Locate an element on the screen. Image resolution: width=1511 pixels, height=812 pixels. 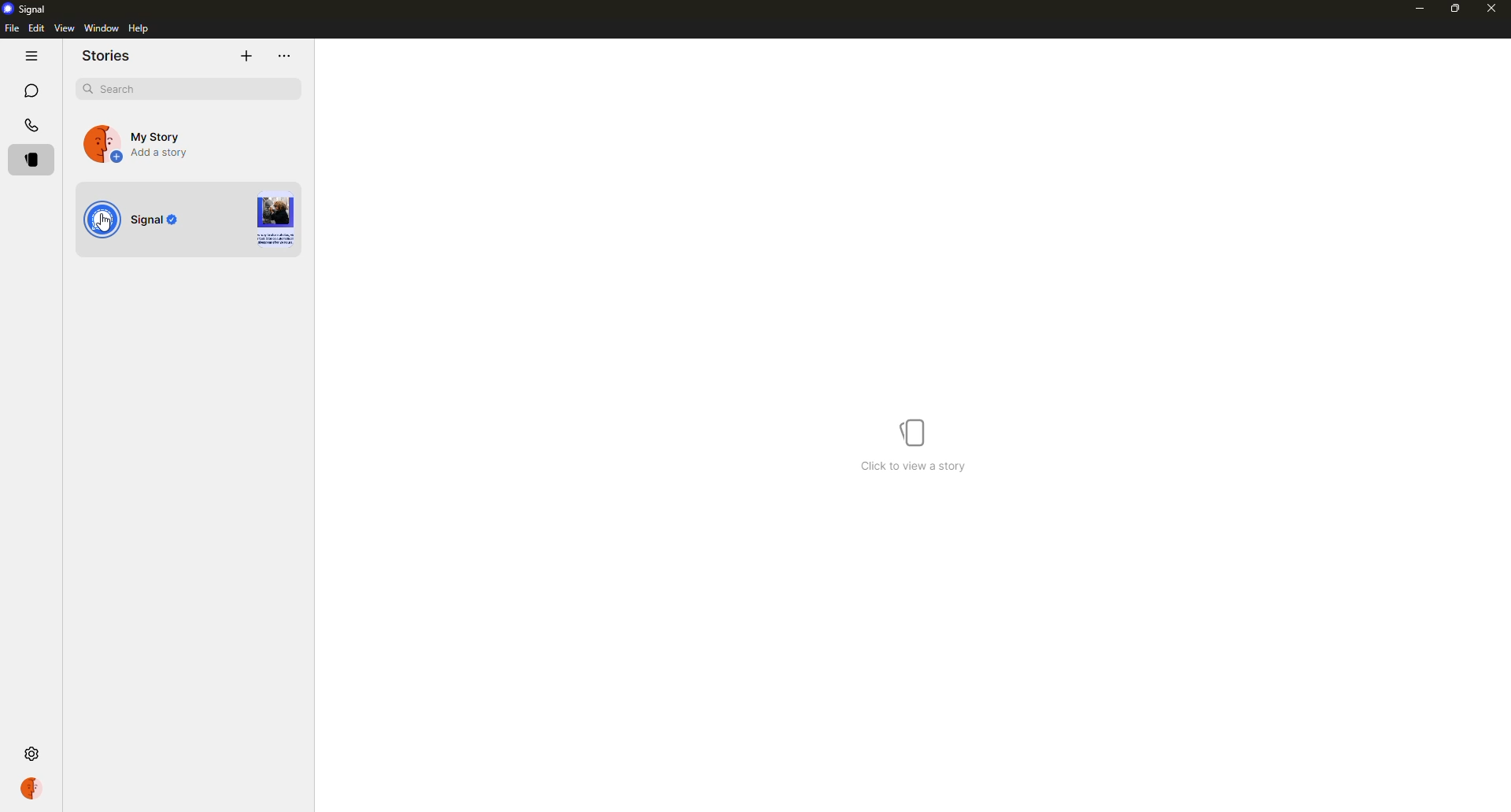
edit is located at coordinates (35, 28).